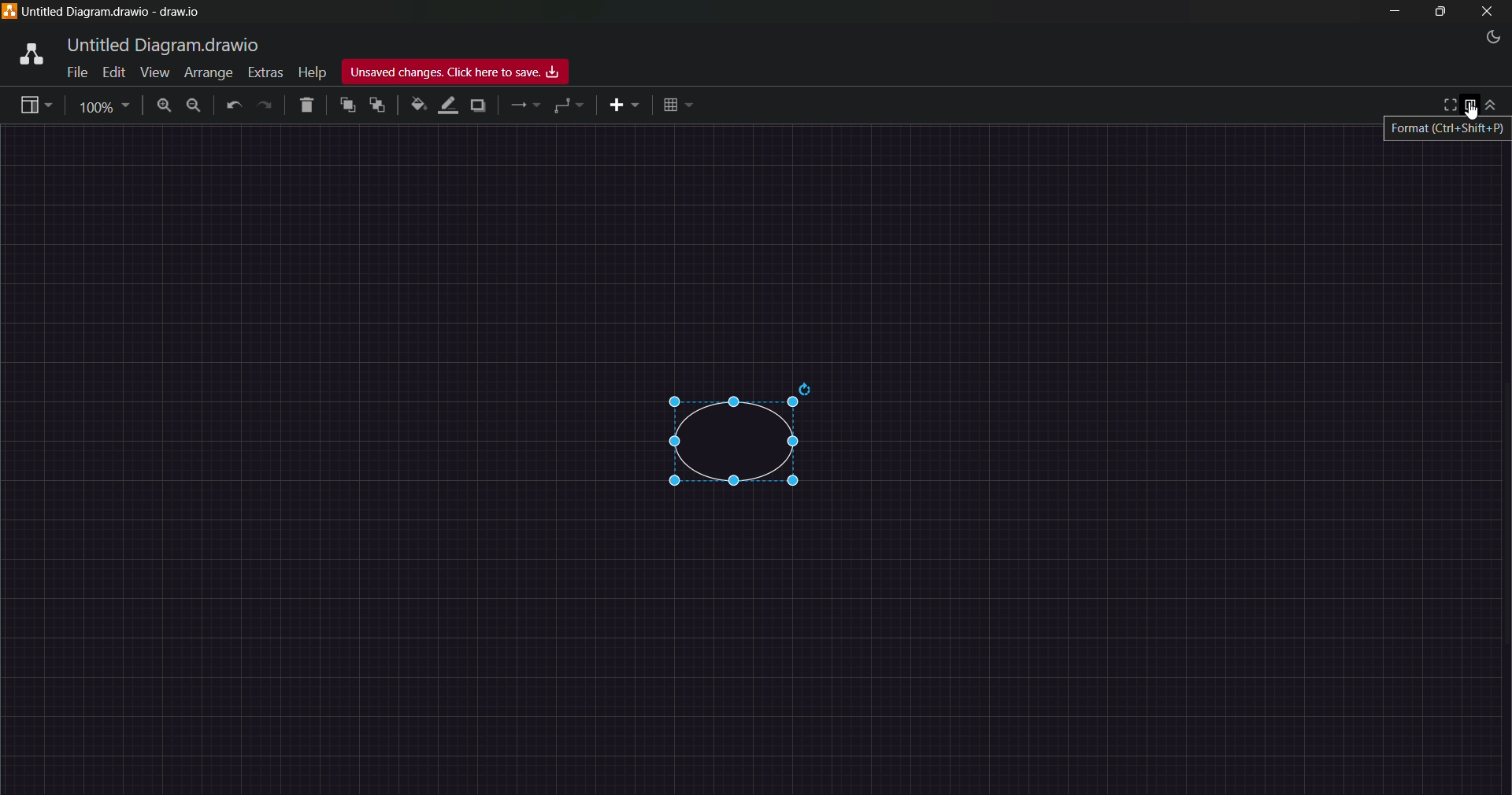  What do you see at coordinates (193, 108) in the screenshot?
I see `zoom out` at bounding box center [193, 108].